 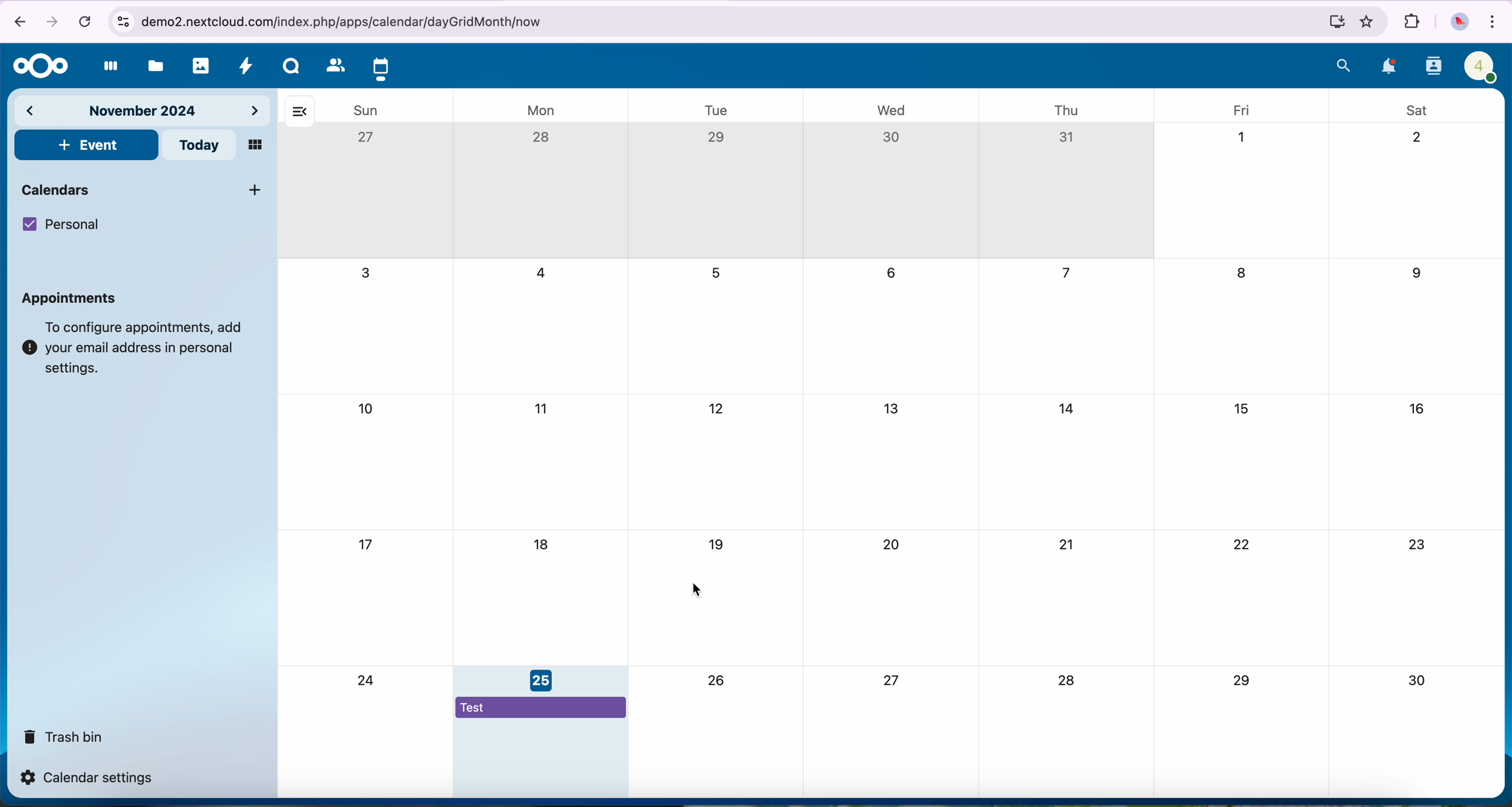 I want to click on files, so click(x=153, y=66).